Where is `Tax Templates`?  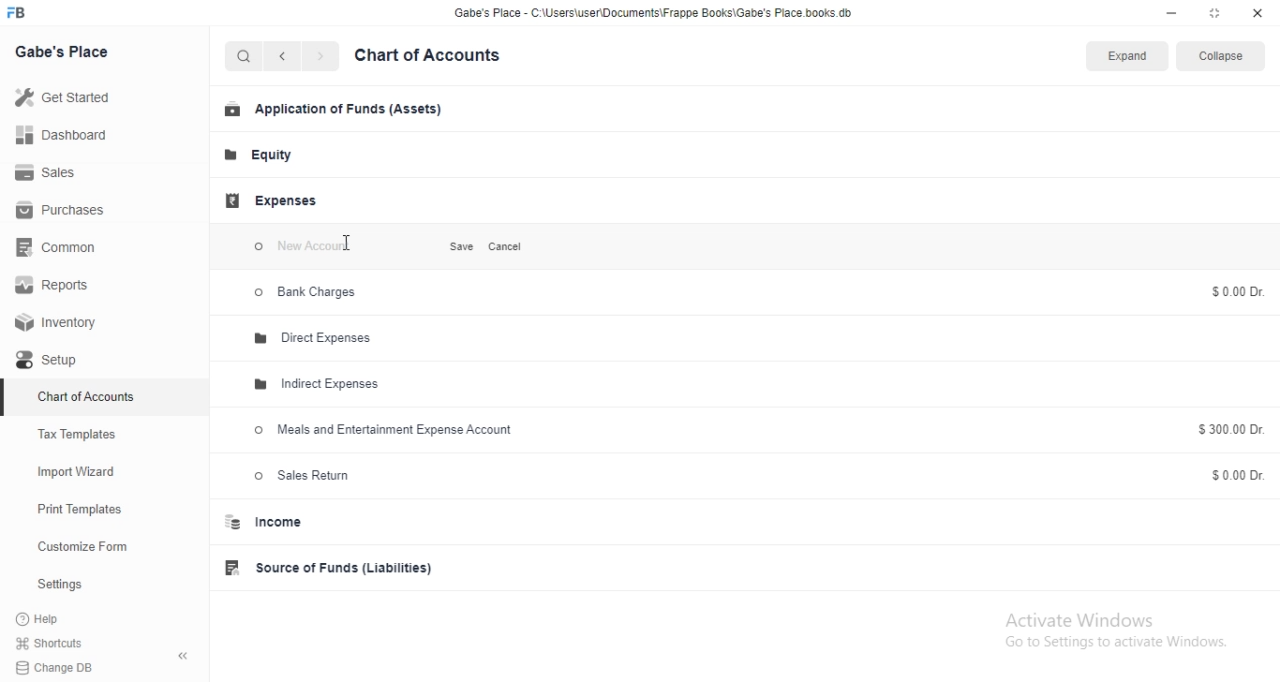 Tax Templates is located at coordinates (85, 431).